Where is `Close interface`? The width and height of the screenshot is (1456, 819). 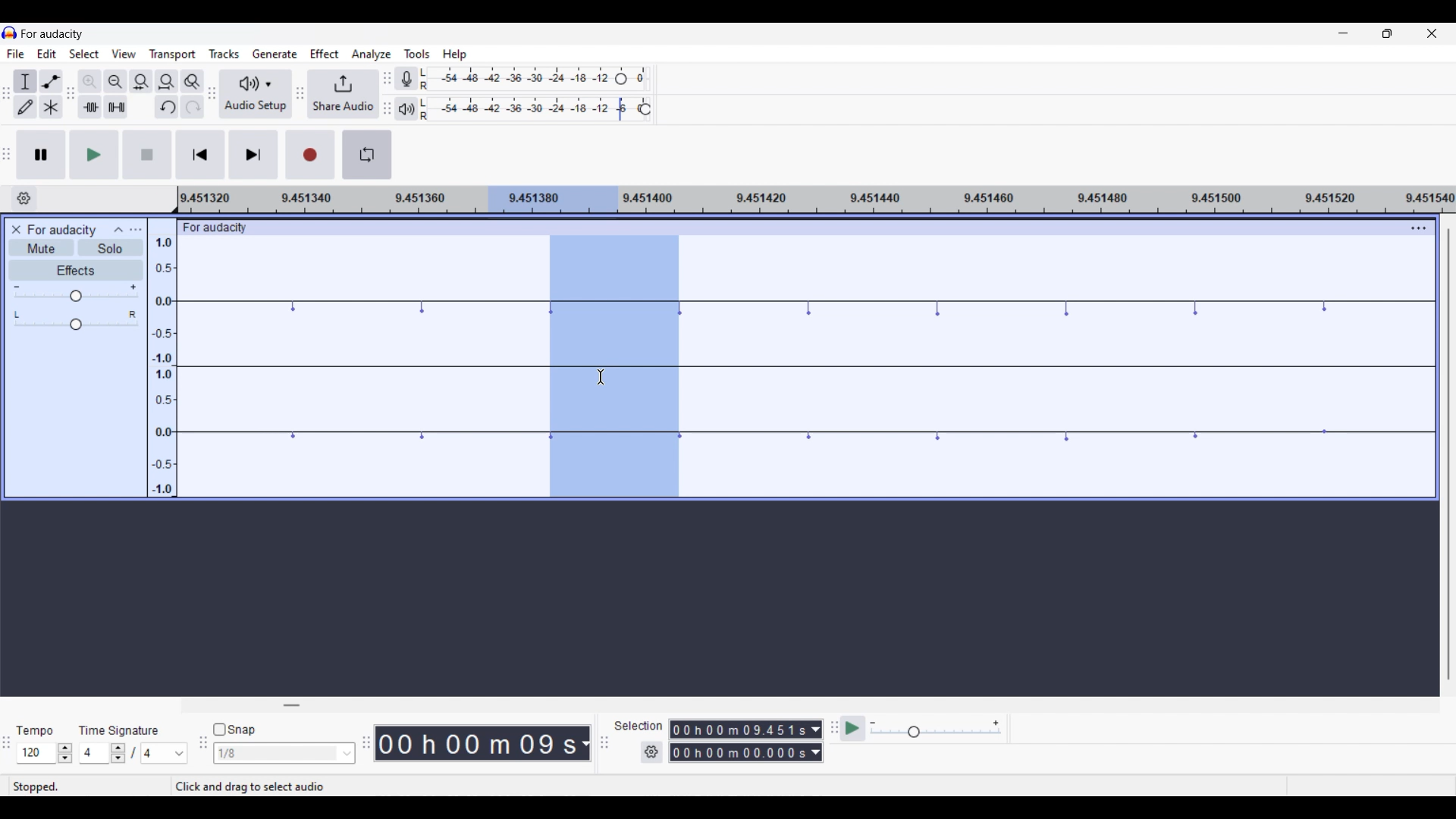 Close interface is located at coordinates (1432, 33).